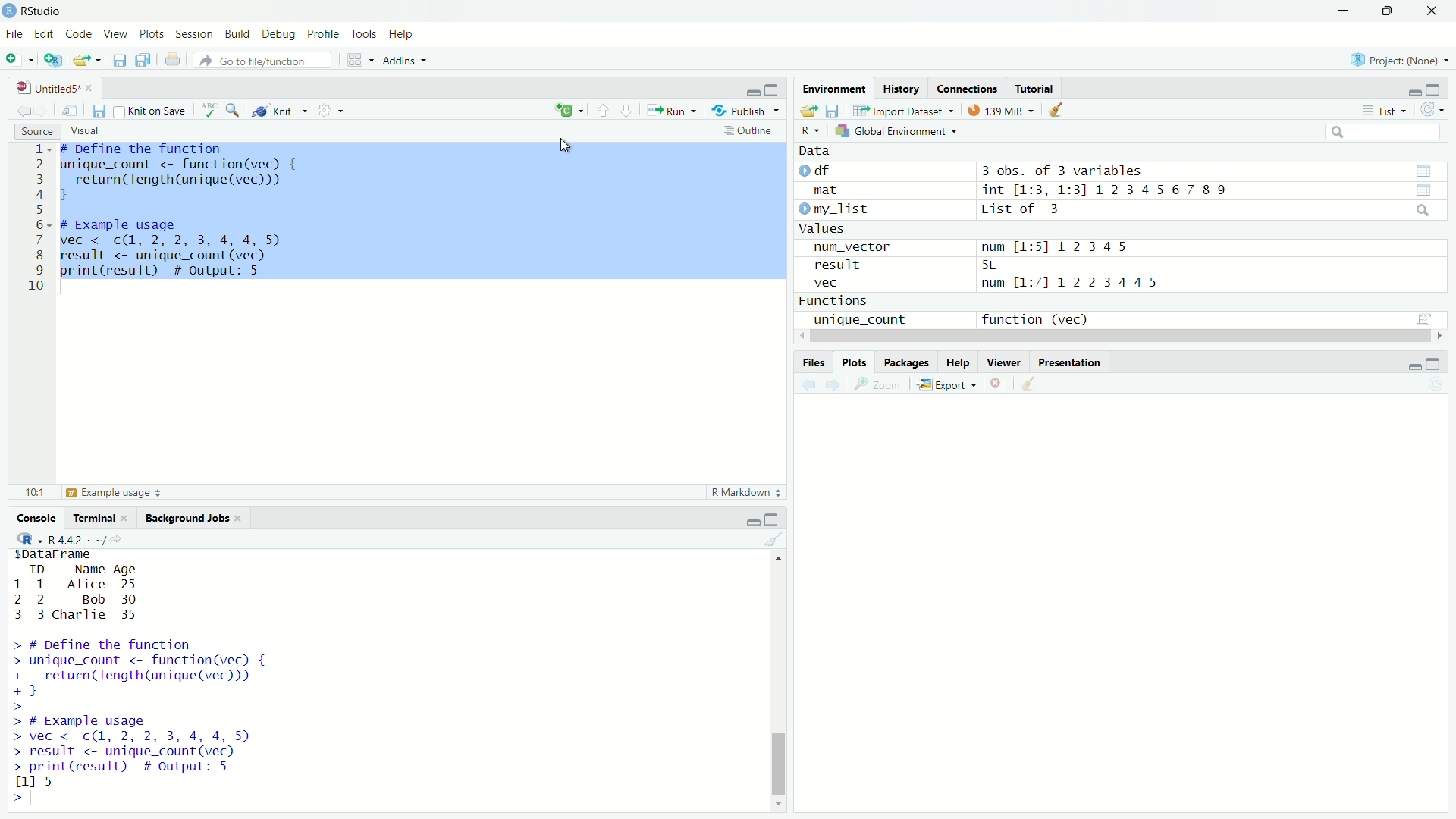 This screenshot has width=1456, height=819. Describe the element at coordinates (328, 110) in the screenshot. I see `settings` at that location.